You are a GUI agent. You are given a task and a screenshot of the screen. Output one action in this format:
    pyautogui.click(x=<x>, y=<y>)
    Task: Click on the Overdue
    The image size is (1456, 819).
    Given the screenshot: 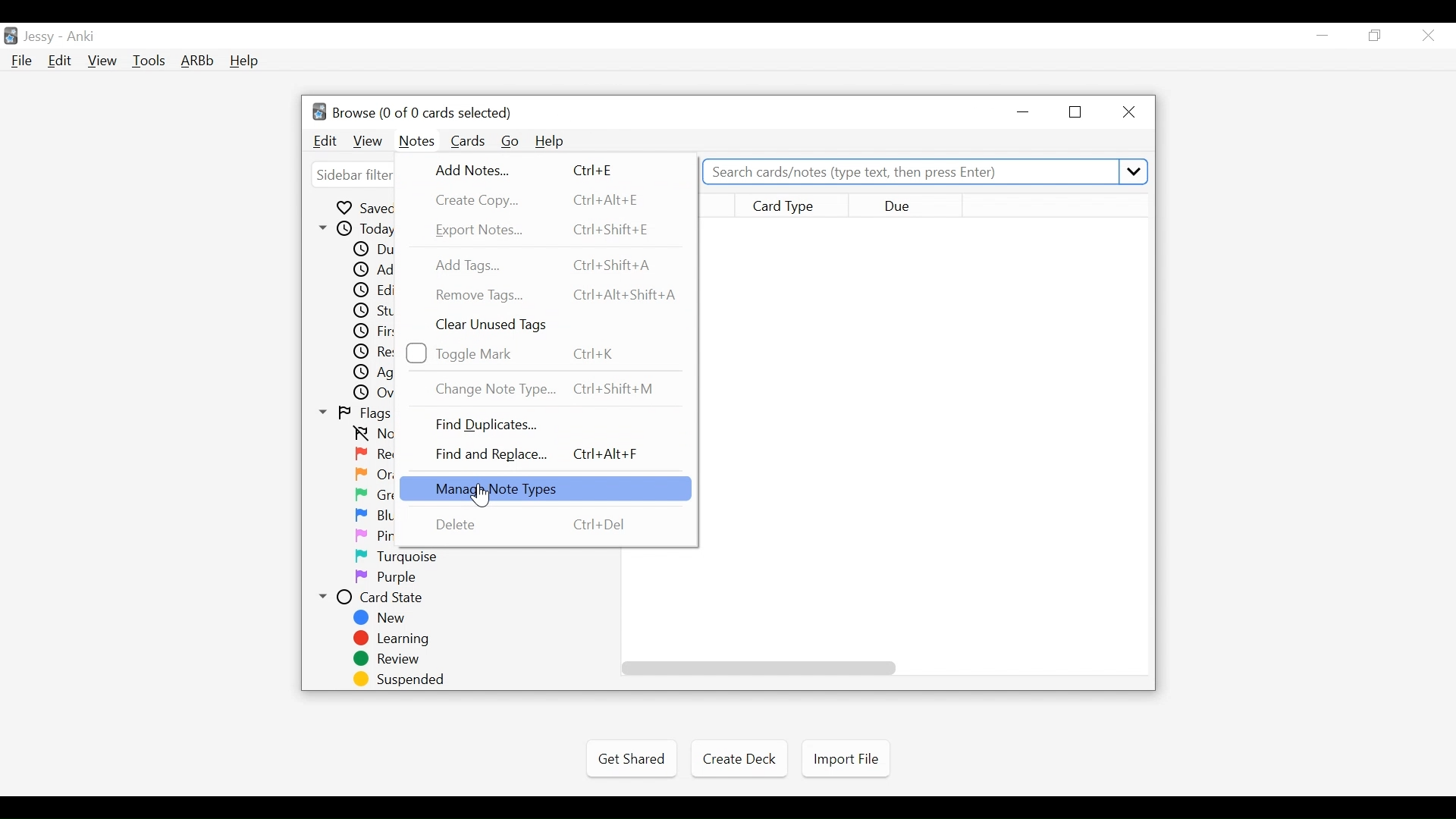 What is the action you would take?
    pyautogui.click(x=371, y=392)
    